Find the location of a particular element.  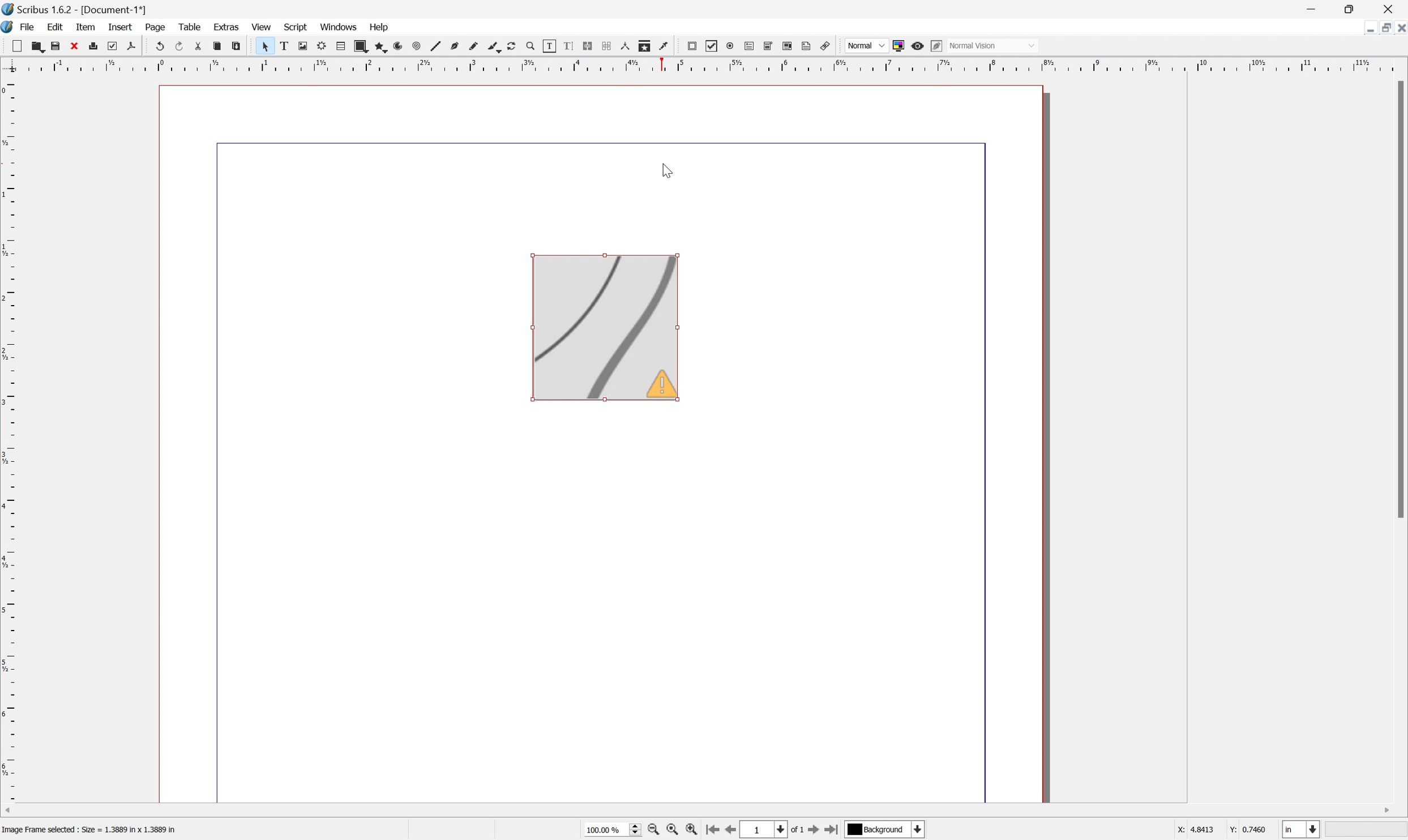

Normal Vision is located at coordinates (995, 44).